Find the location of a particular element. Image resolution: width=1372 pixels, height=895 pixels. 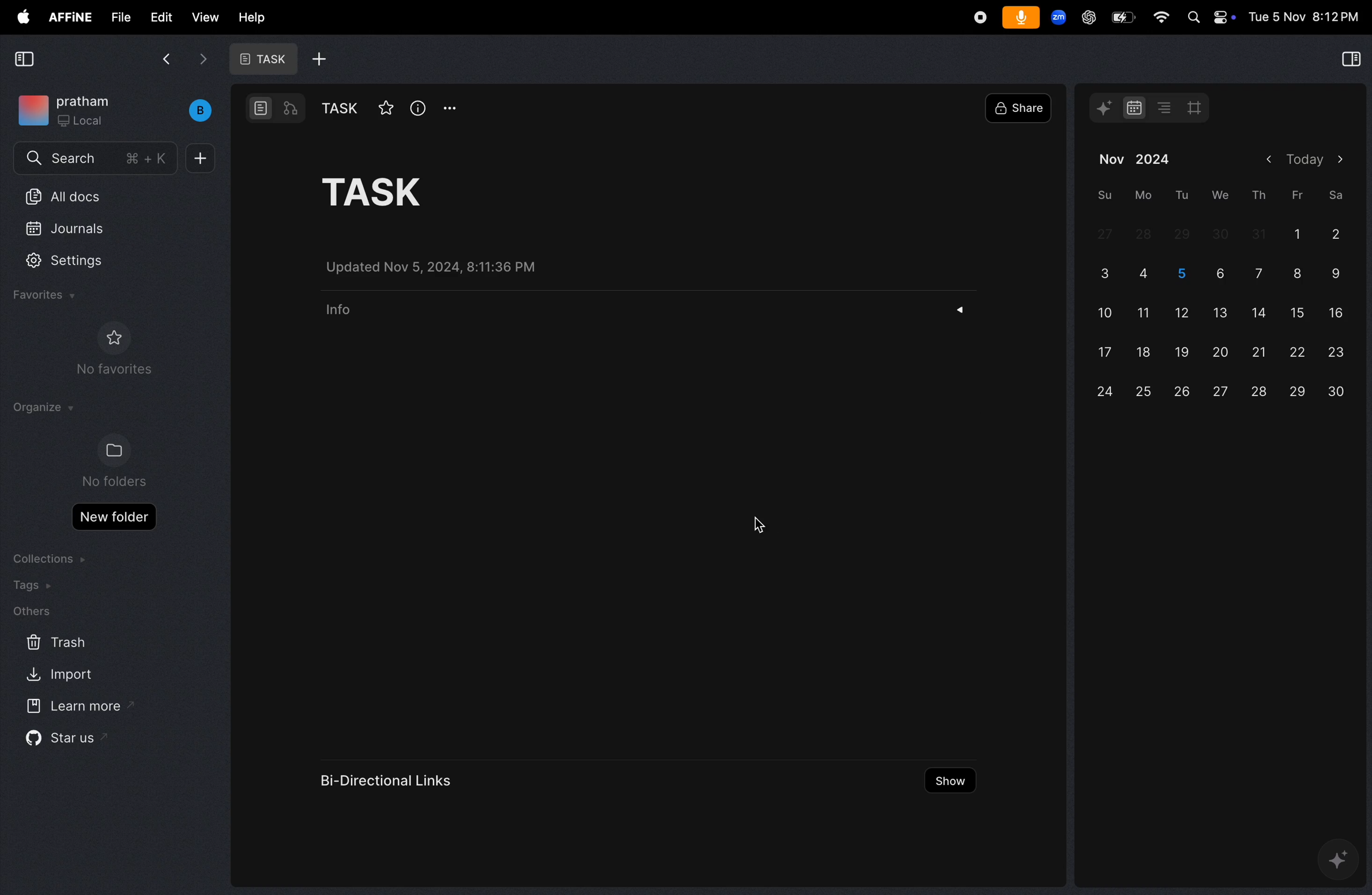

microphone is located at coordinates (1020, 18).